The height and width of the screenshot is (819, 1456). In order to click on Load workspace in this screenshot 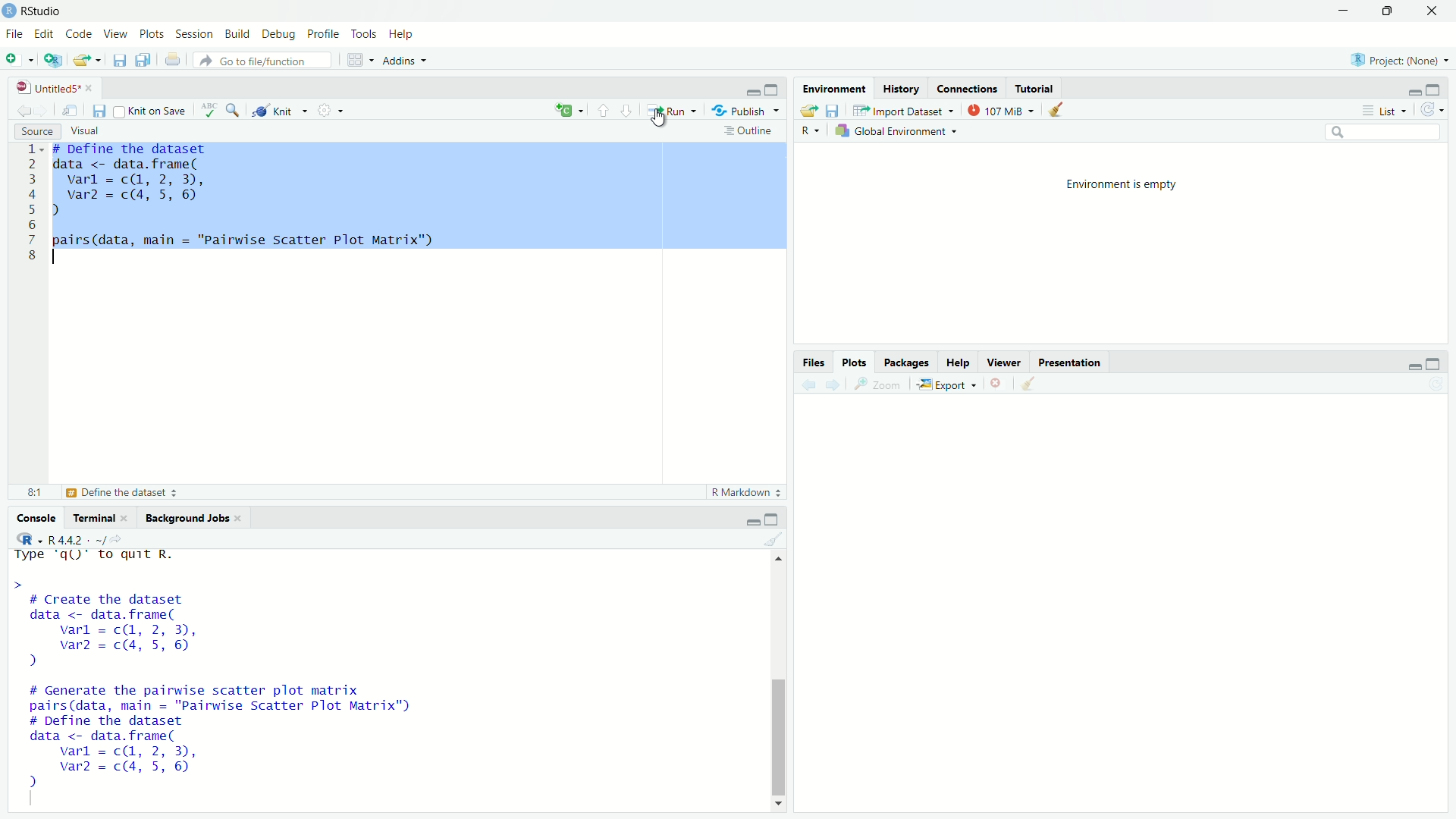, I will do `click(807, 108)`.